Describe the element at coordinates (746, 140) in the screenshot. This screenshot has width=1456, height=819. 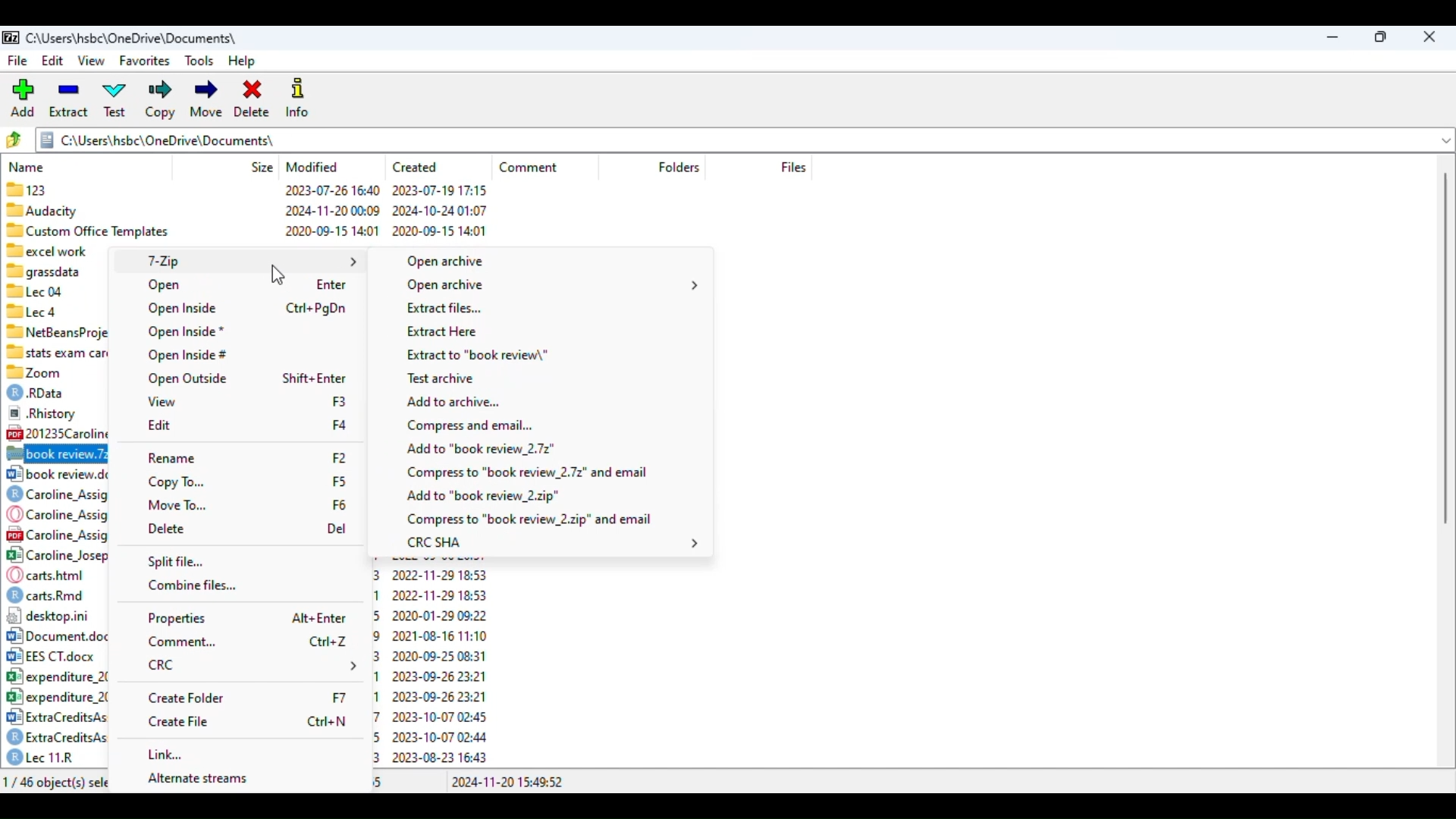
I see `current folder` at that location.